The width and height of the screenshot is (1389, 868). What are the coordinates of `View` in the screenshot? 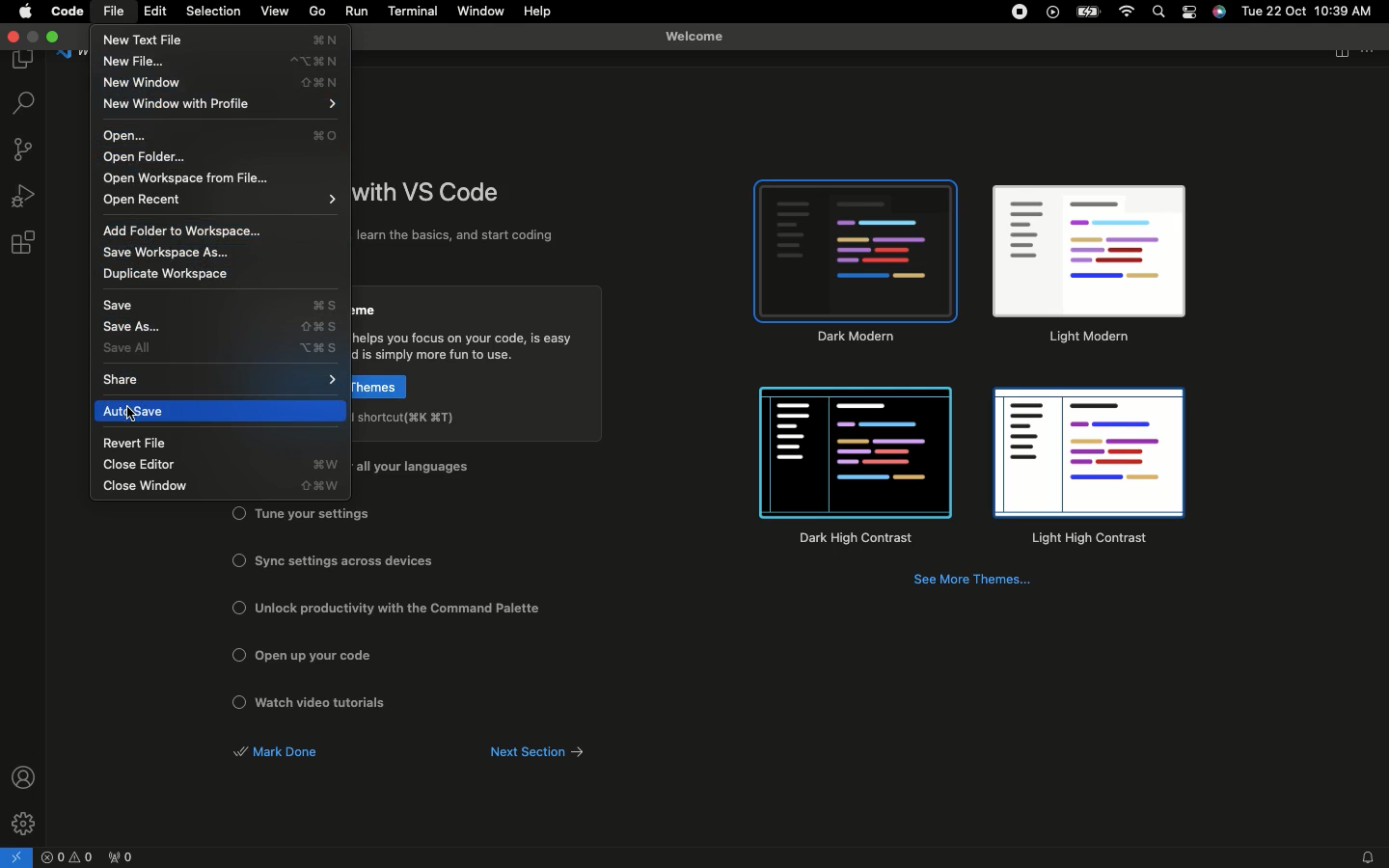 It's located at (276, 12).